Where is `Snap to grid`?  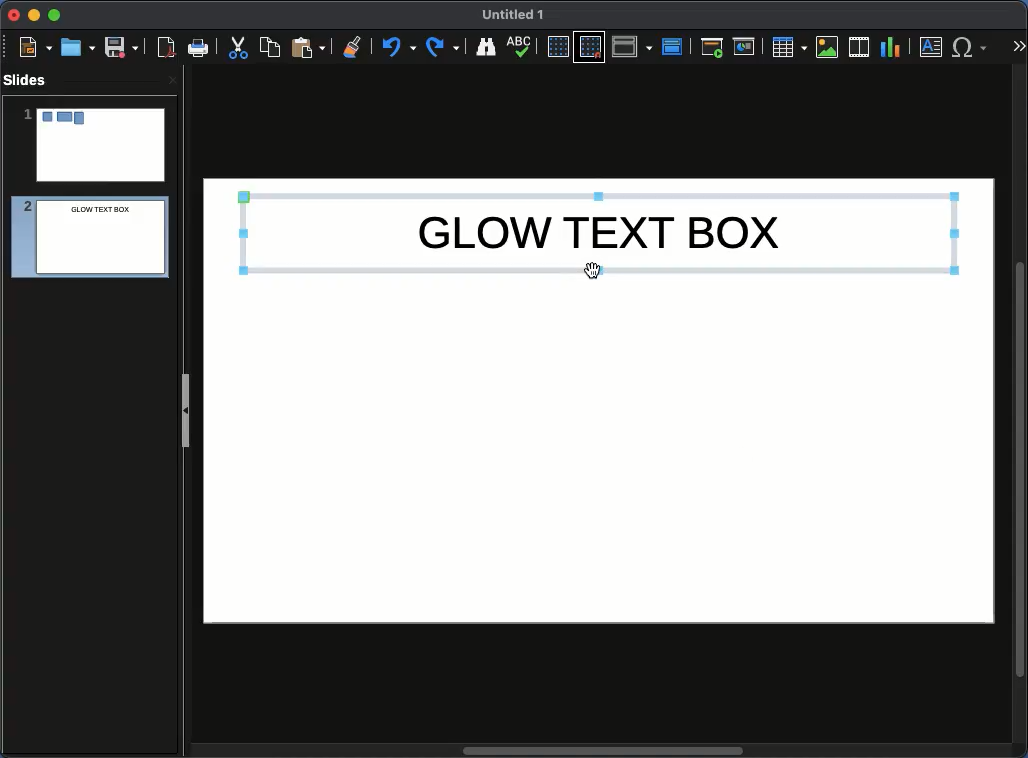 Snap to grid is located at coordinates (592, 46).